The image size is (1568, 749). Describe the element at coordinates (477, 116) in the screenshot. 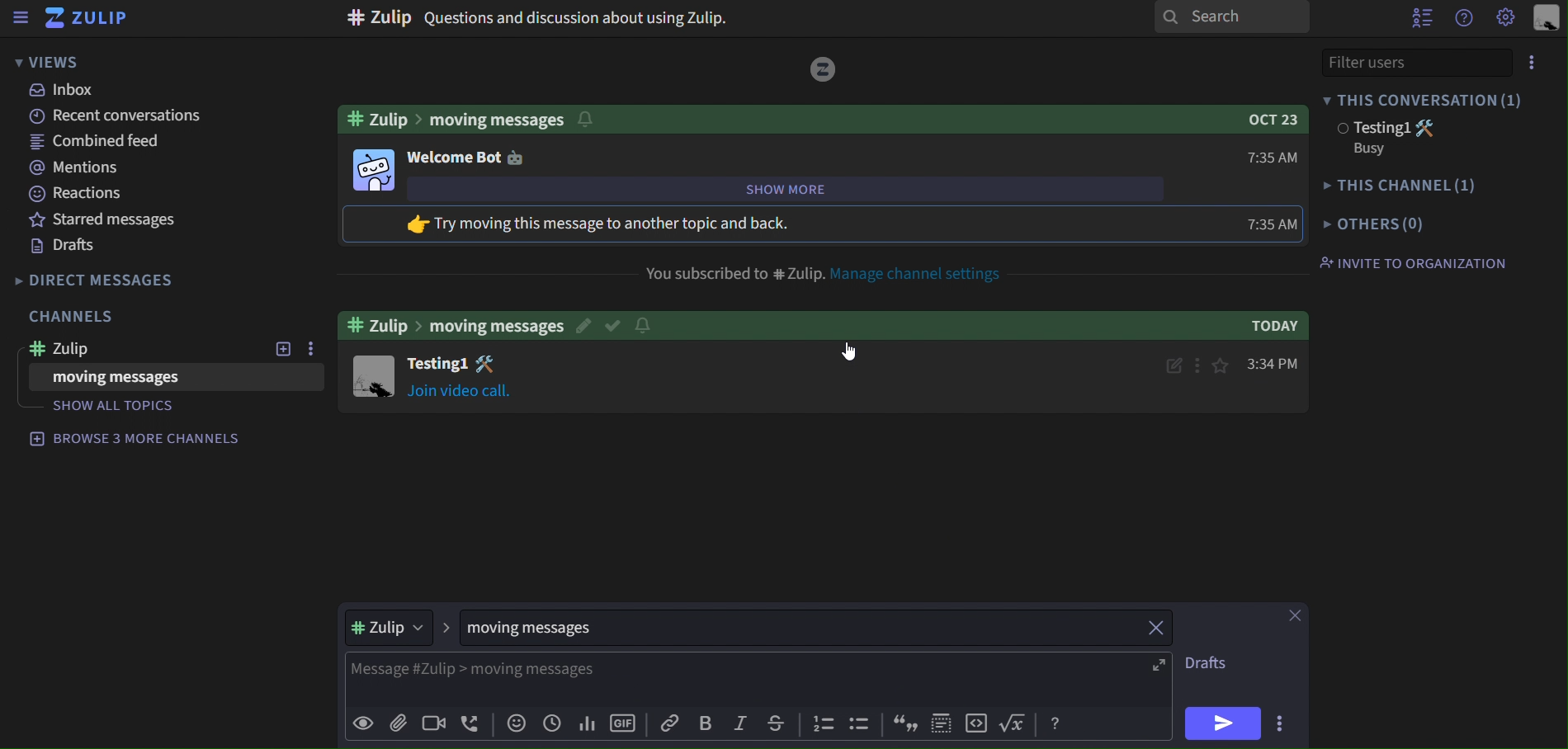

I see `# Zulip > moving messages` at that location.